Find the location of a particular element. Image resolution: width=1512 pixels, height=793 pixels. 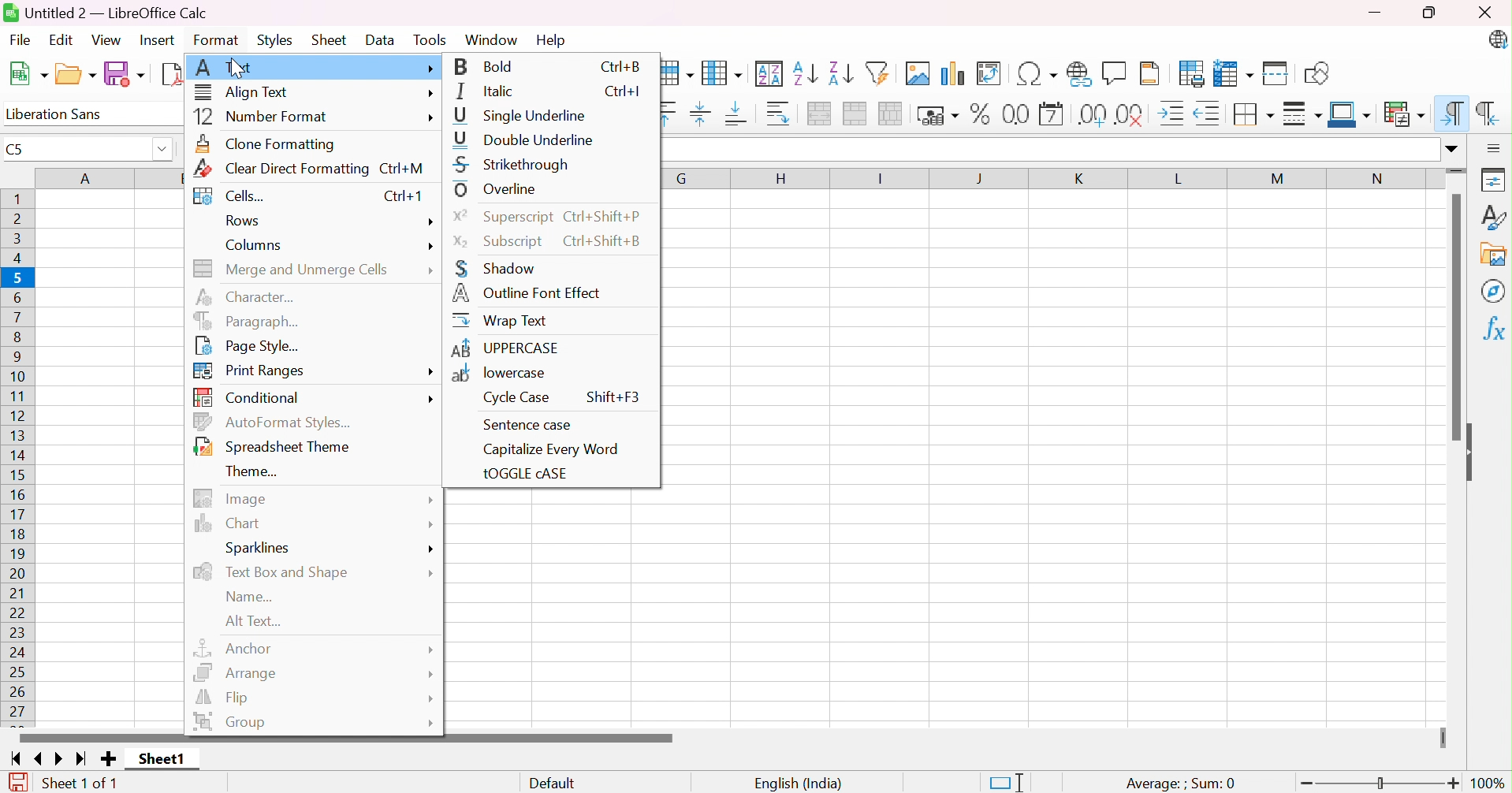

Properties is located at coordinates (1496, 177).